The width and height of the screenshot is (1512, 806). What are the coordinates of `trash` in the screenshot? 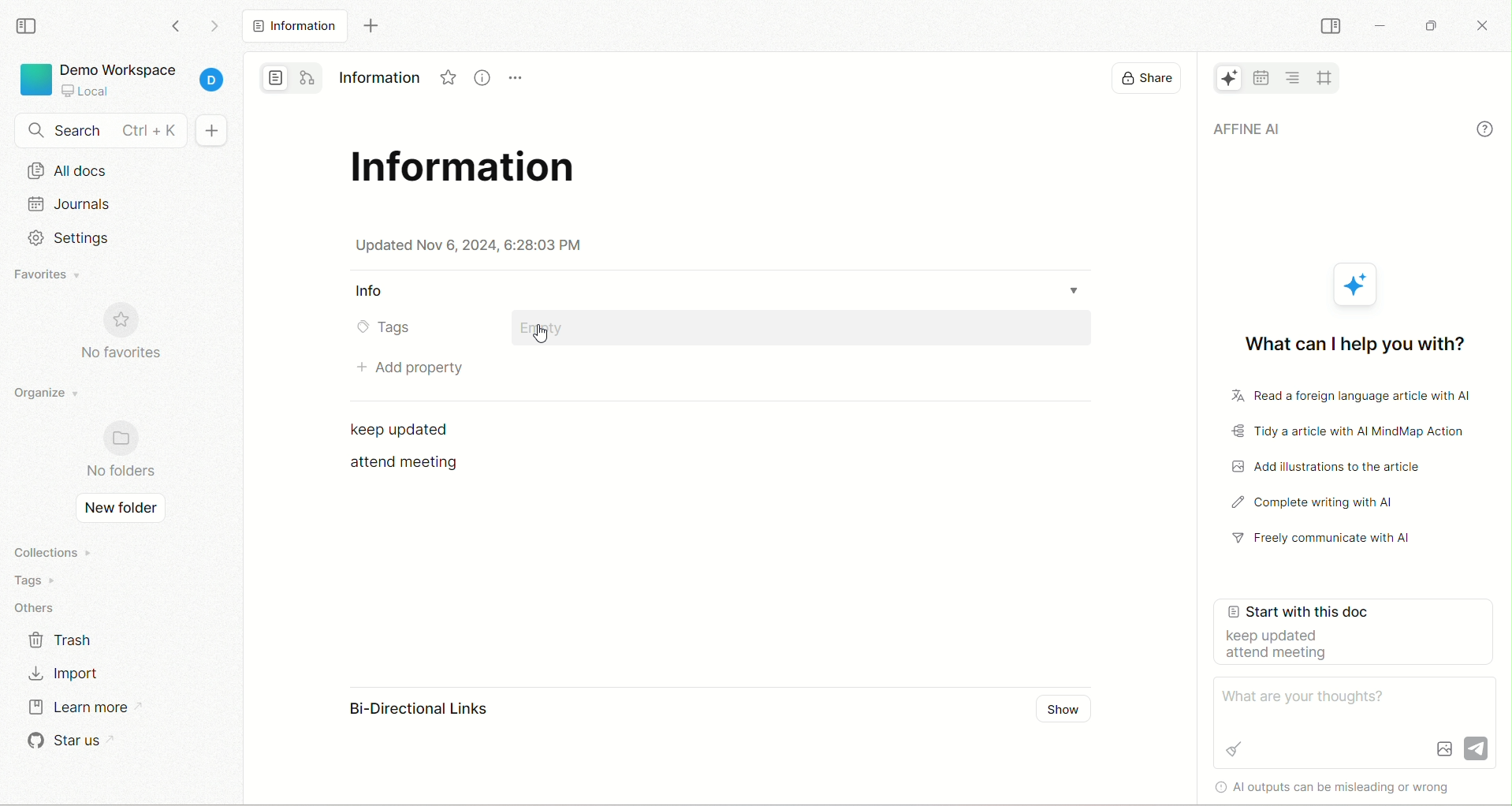 It's located at (67, 640).